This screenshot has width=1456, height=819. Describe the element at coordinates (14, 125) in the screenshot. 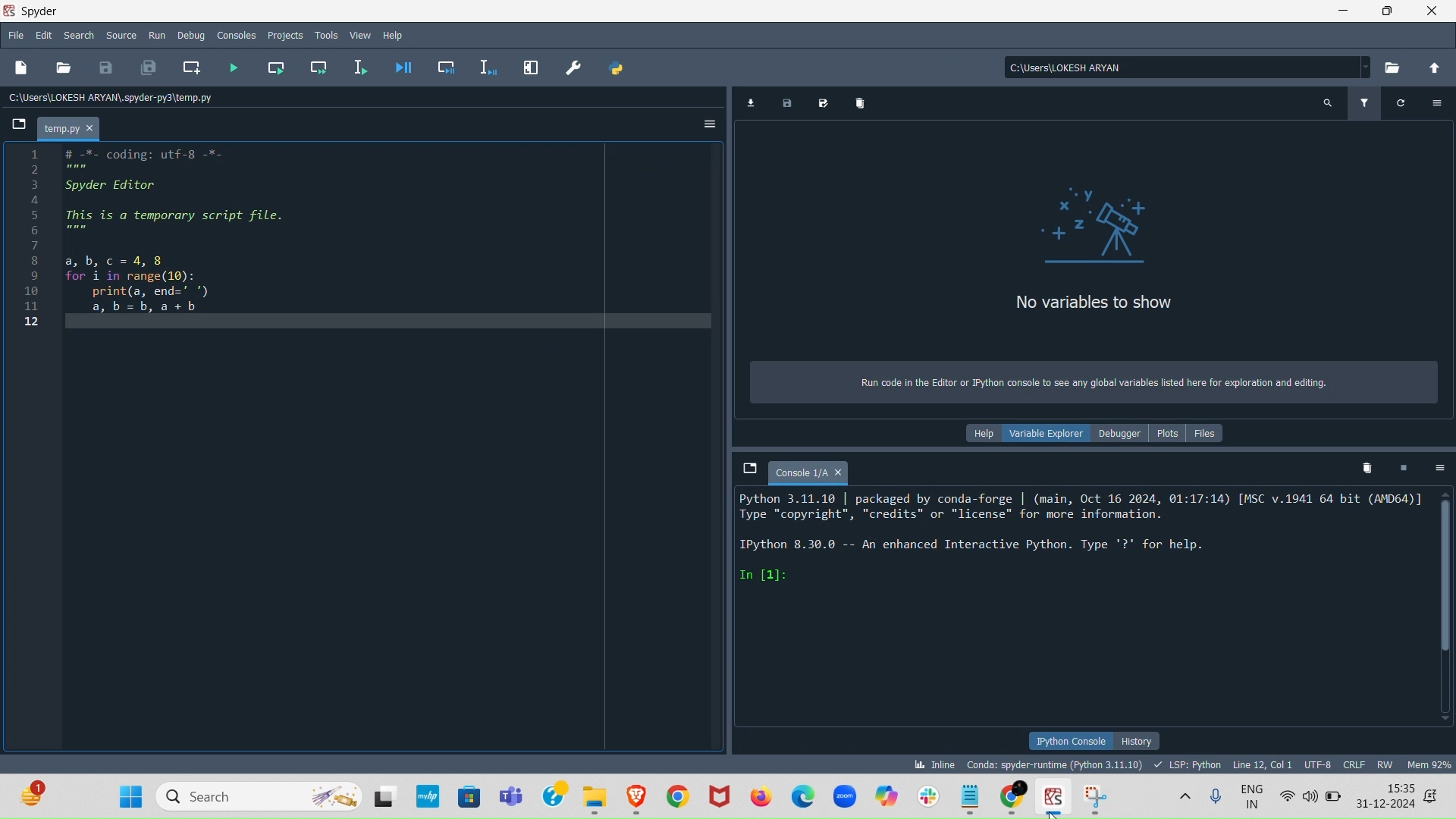

I see `Browse tabs` at that location.